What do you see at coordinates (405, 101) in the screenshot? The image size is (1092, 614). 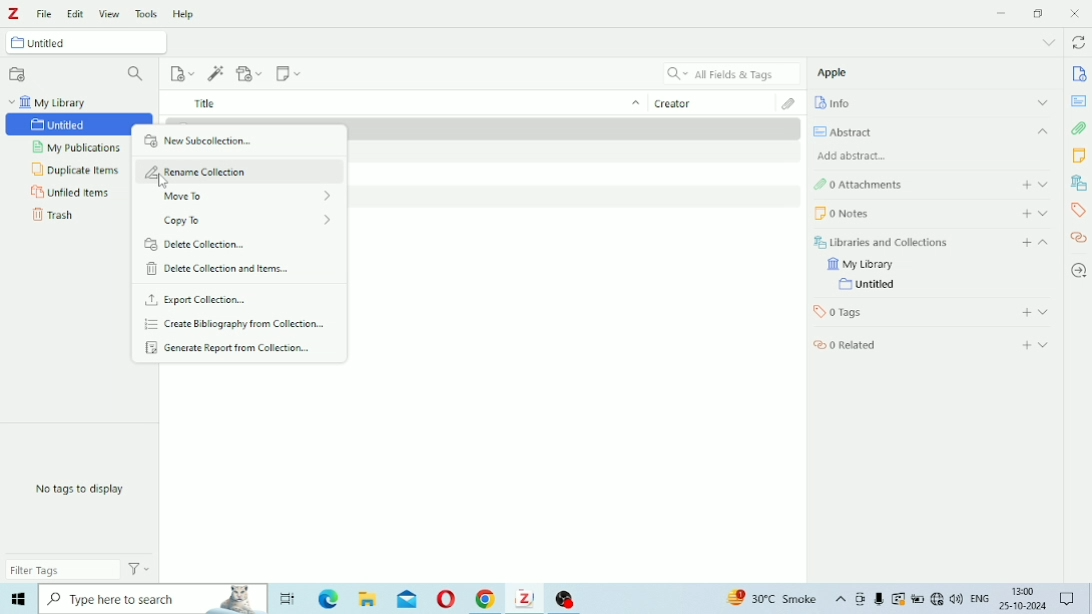 I see `Title` at bounding box center [405, 101].